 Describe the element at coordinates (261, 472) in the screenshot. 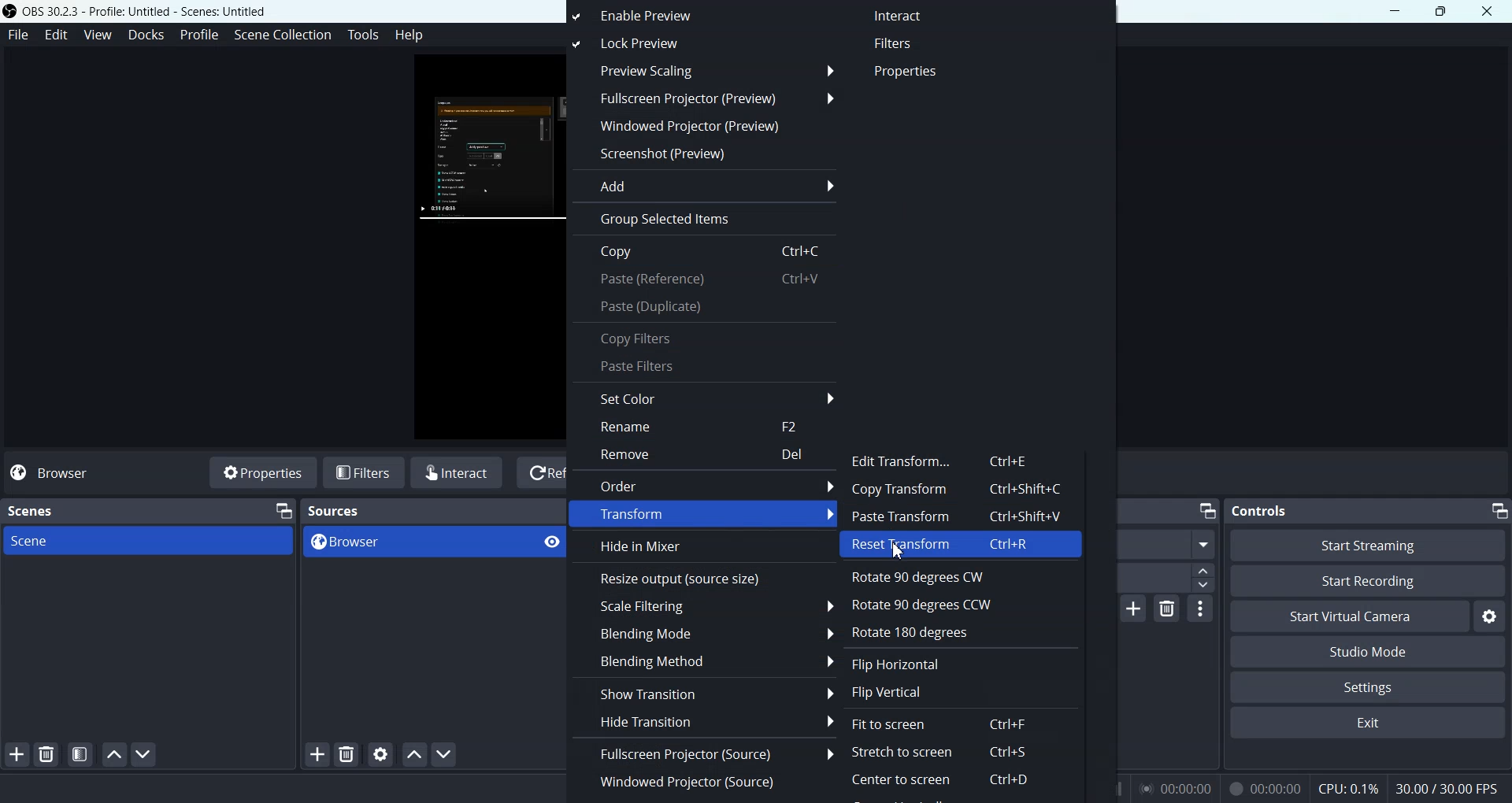

I see `Properties` at that location.